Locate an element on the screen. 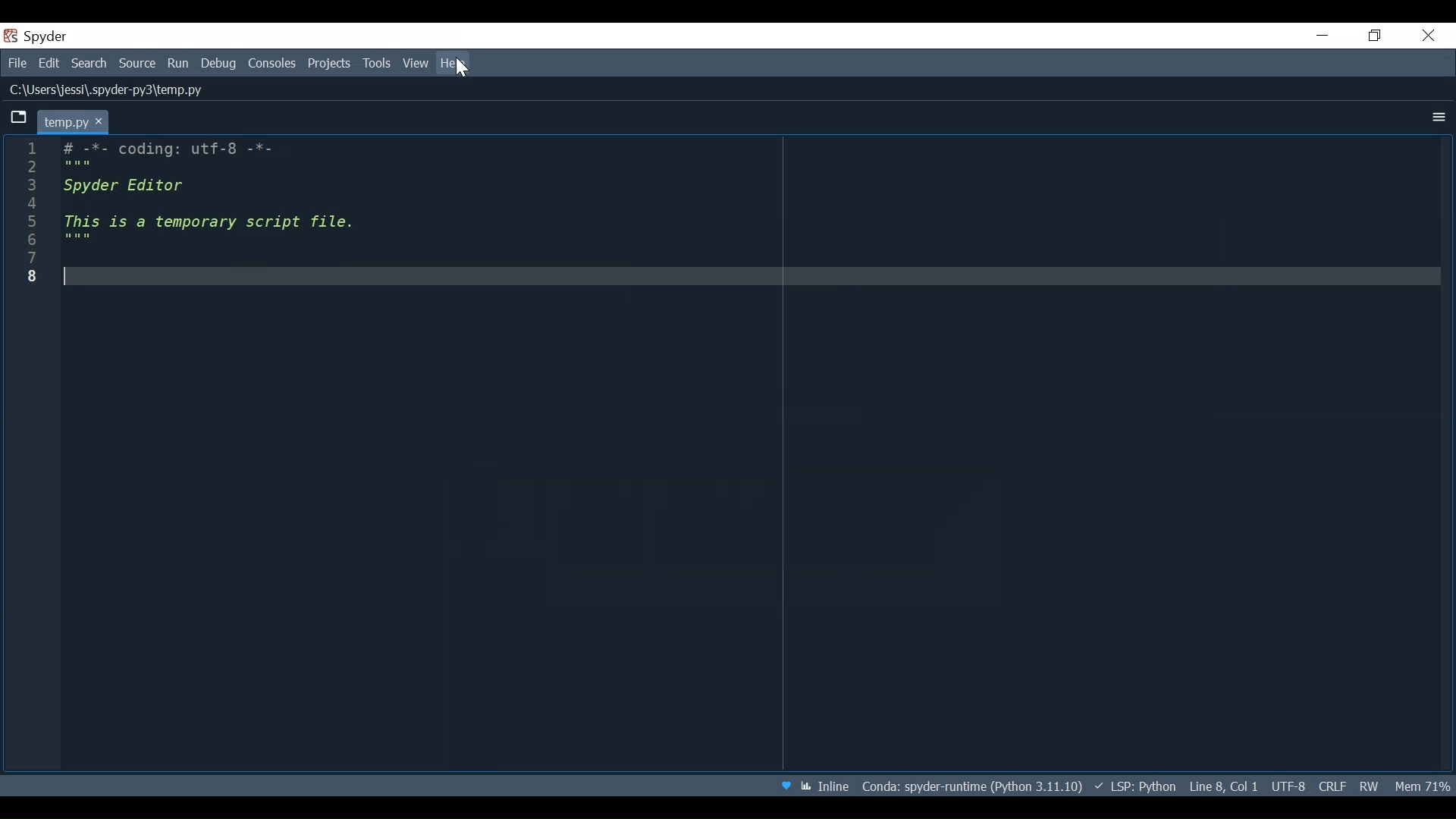 Image resolution: width=1456 pixels, height=819 pixels. line number is located at coordinates (30, 212).